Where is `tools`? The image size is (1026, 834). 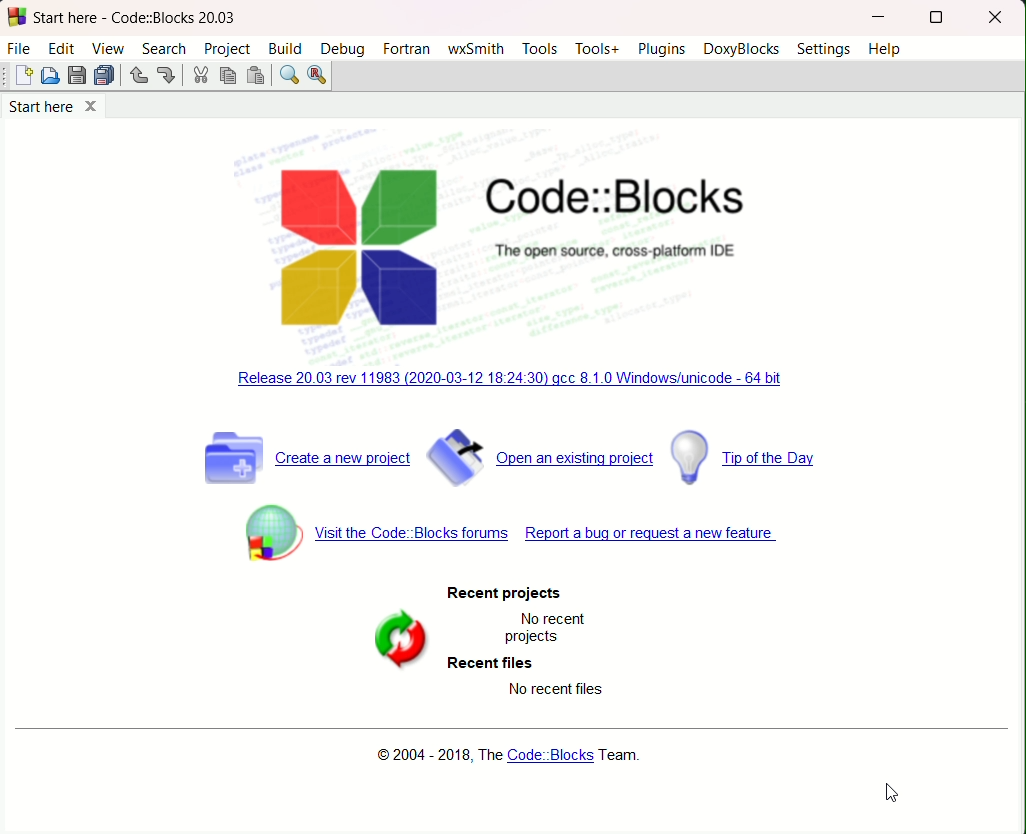
tools is located at coordinates (539, 49).